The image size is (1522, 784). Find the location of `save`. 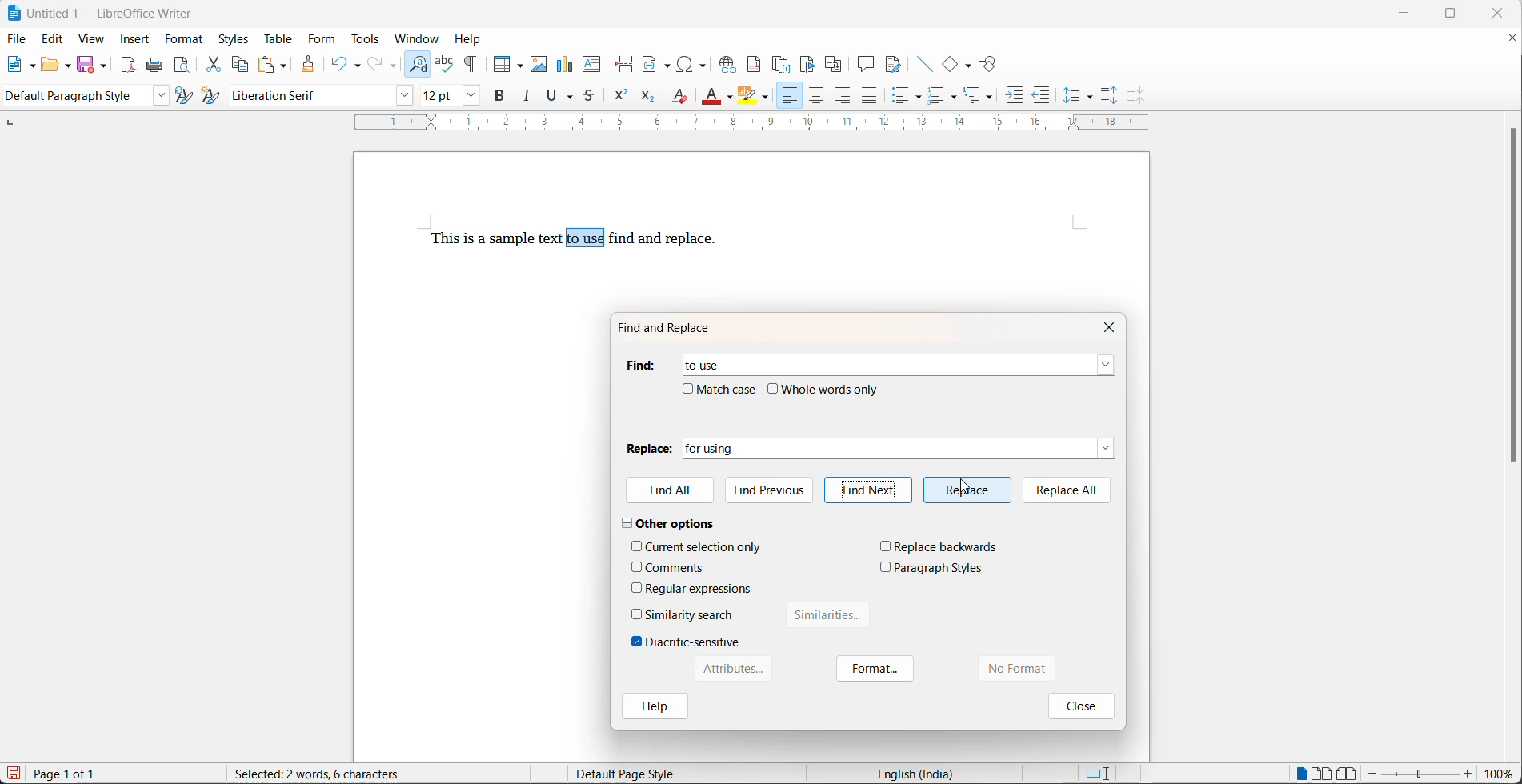

save is located at coordinates (14, 773).